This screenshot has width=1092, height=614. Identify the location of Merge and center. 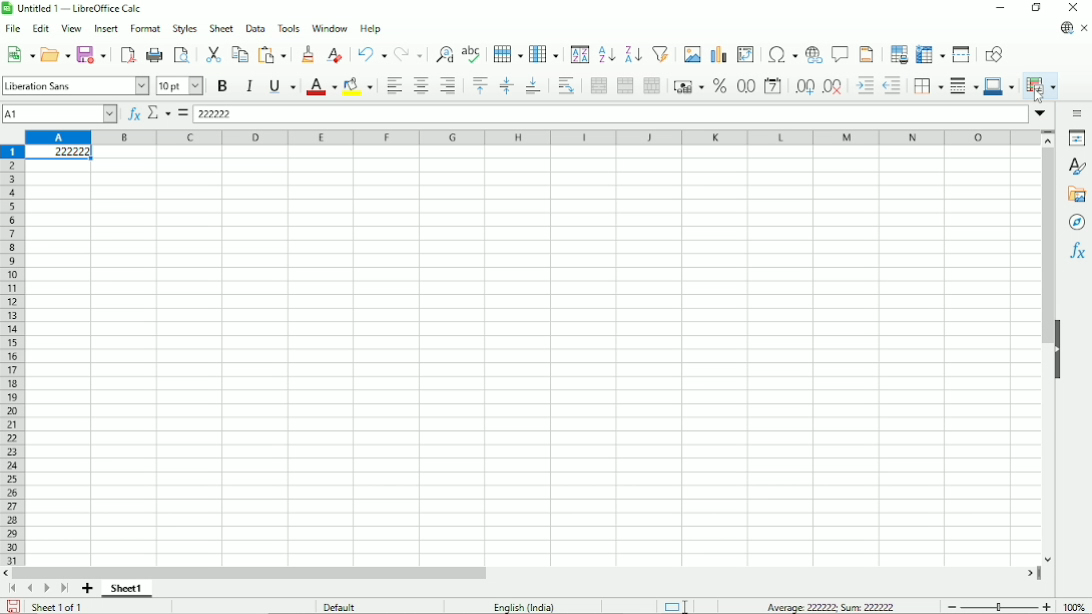
(598, 85).